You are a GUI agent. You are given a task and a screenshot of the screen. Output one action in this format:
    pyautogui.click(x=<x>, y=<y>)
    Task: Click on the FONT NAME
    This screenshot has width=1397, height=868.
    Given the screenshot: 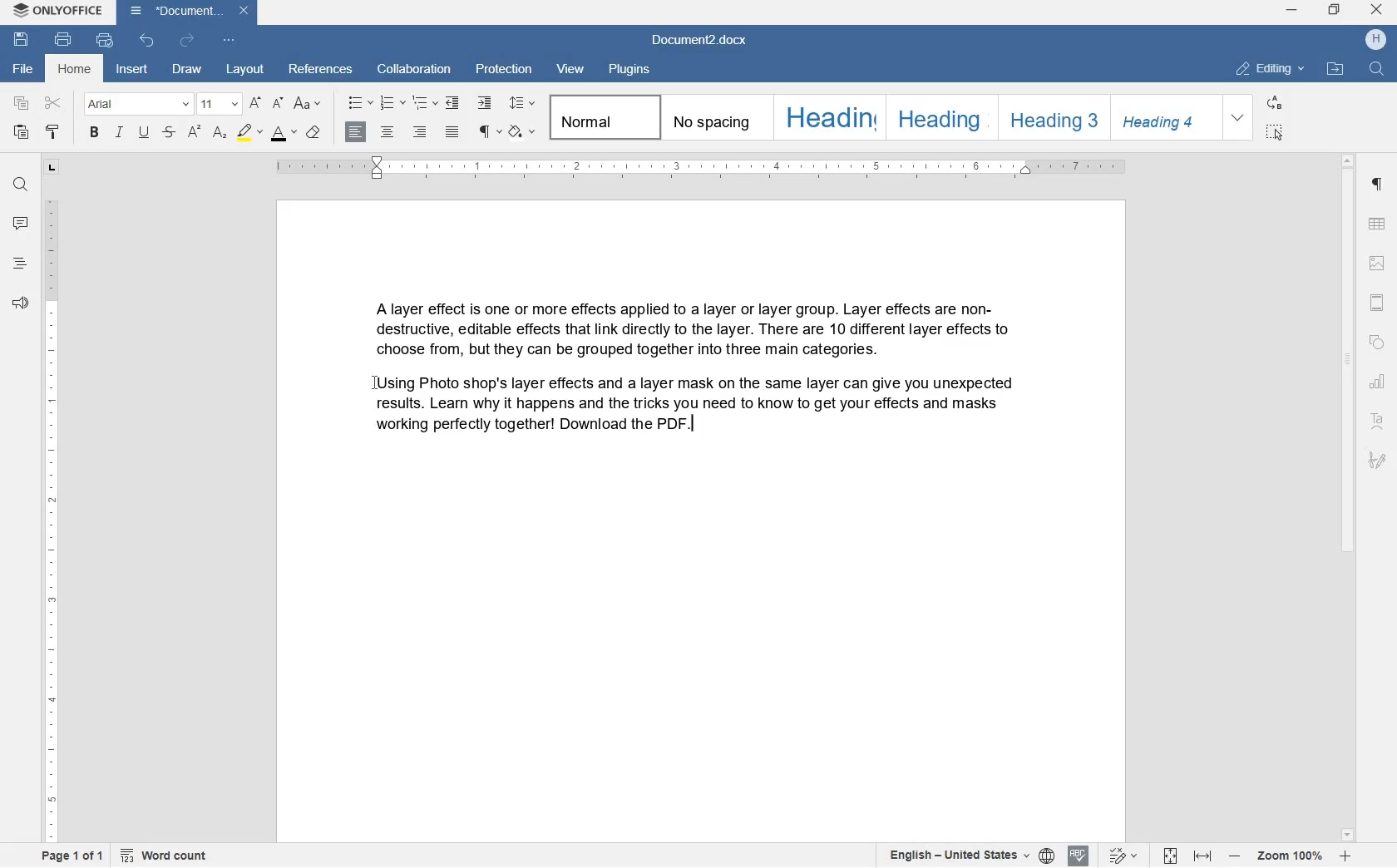 What is the action you would take?
    pyautogui.click(x=135, y=104)
    